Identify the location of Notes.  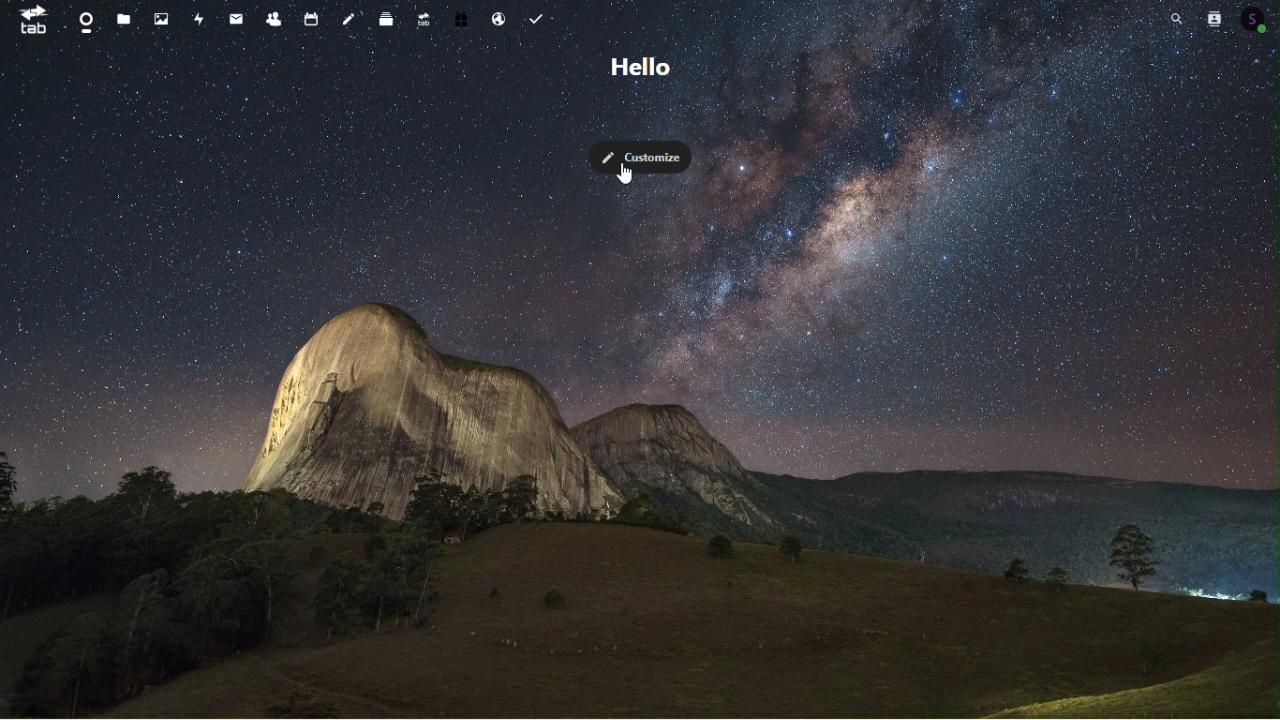
(352, 18).